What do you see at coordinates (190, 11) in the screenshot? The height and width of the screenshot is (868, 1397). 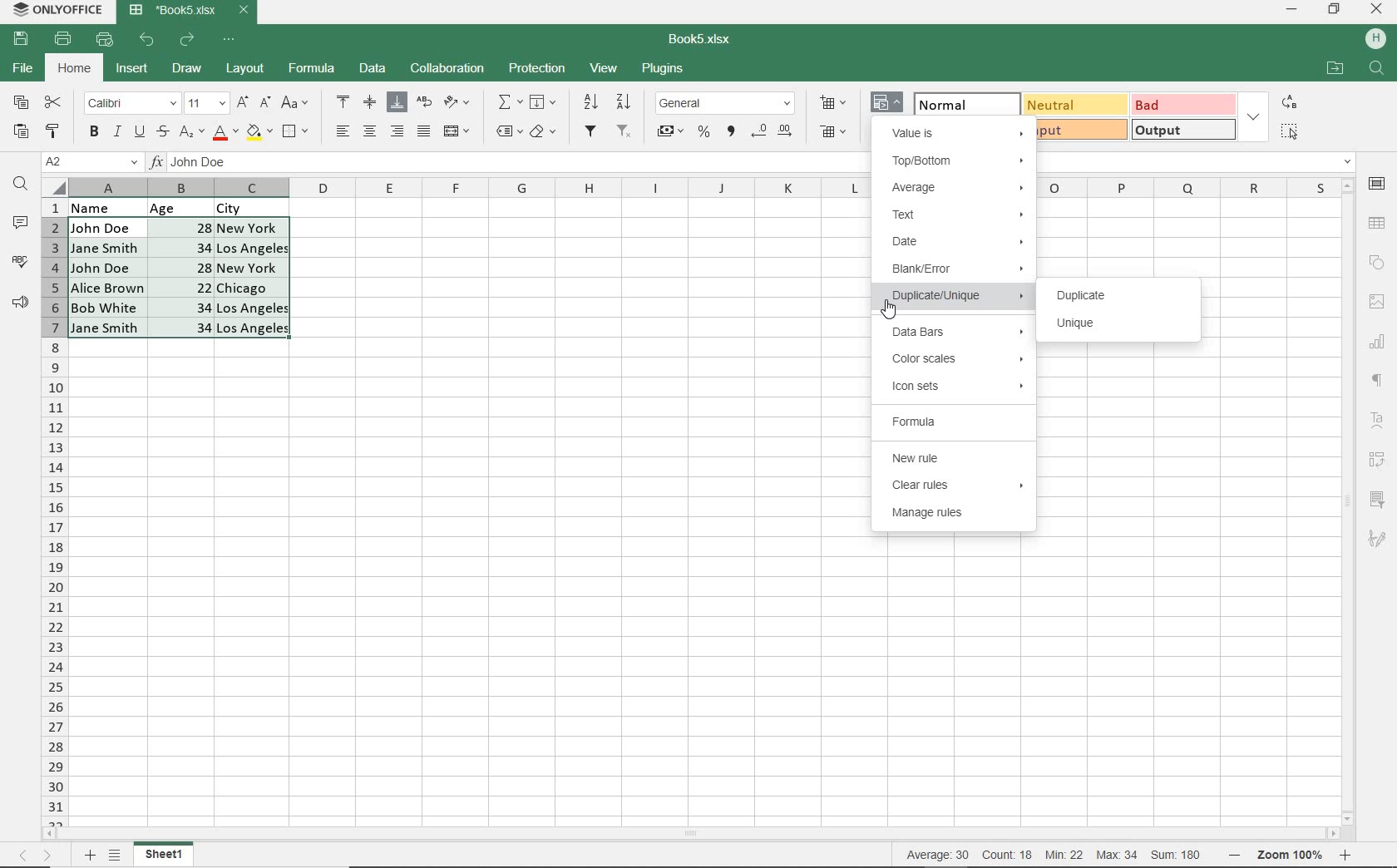 I see `DOCUMENT NAME` at bounding box center [190, 11].